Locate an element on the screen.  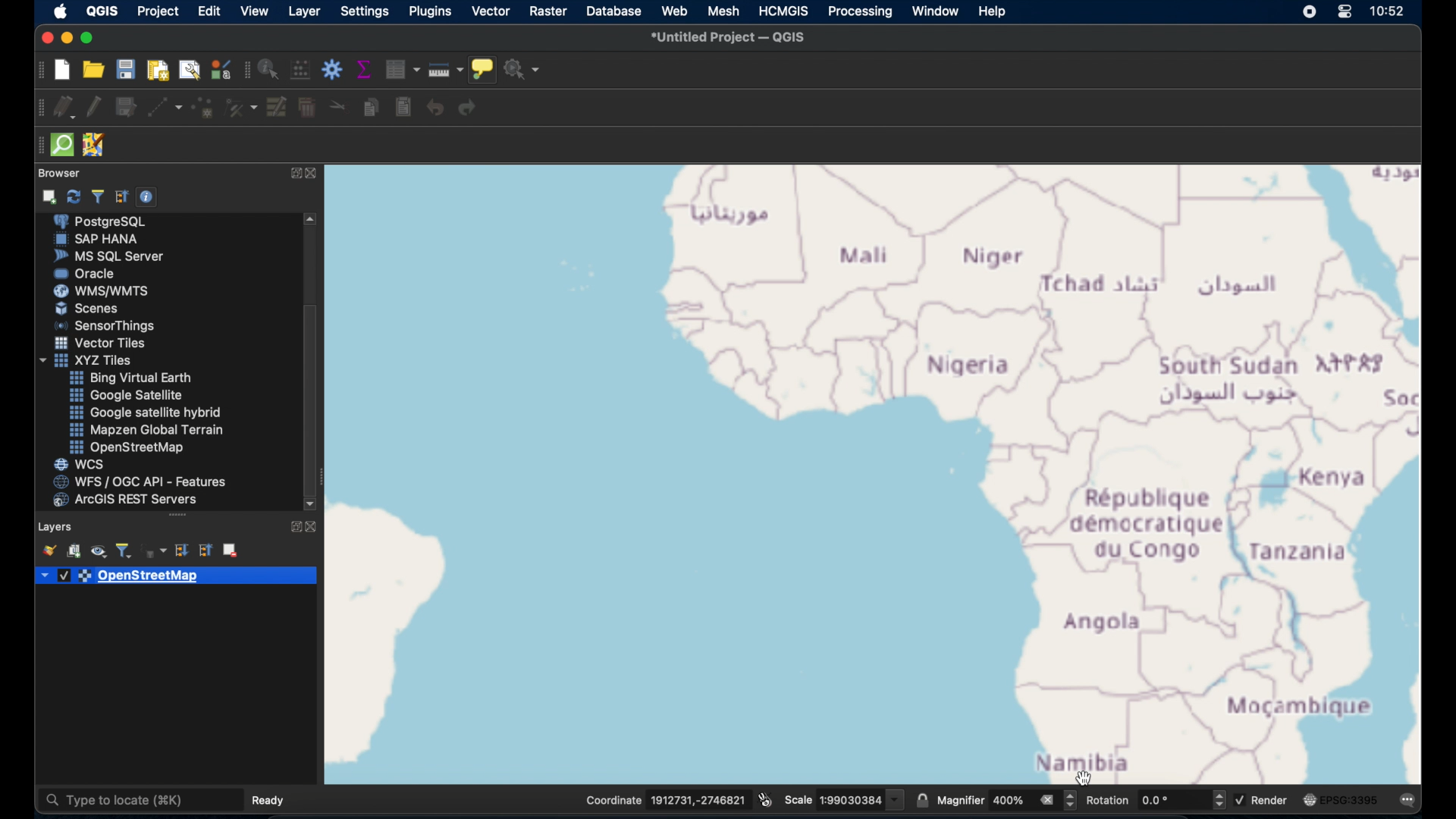
manage map themes is located at coordinates (98, 551).